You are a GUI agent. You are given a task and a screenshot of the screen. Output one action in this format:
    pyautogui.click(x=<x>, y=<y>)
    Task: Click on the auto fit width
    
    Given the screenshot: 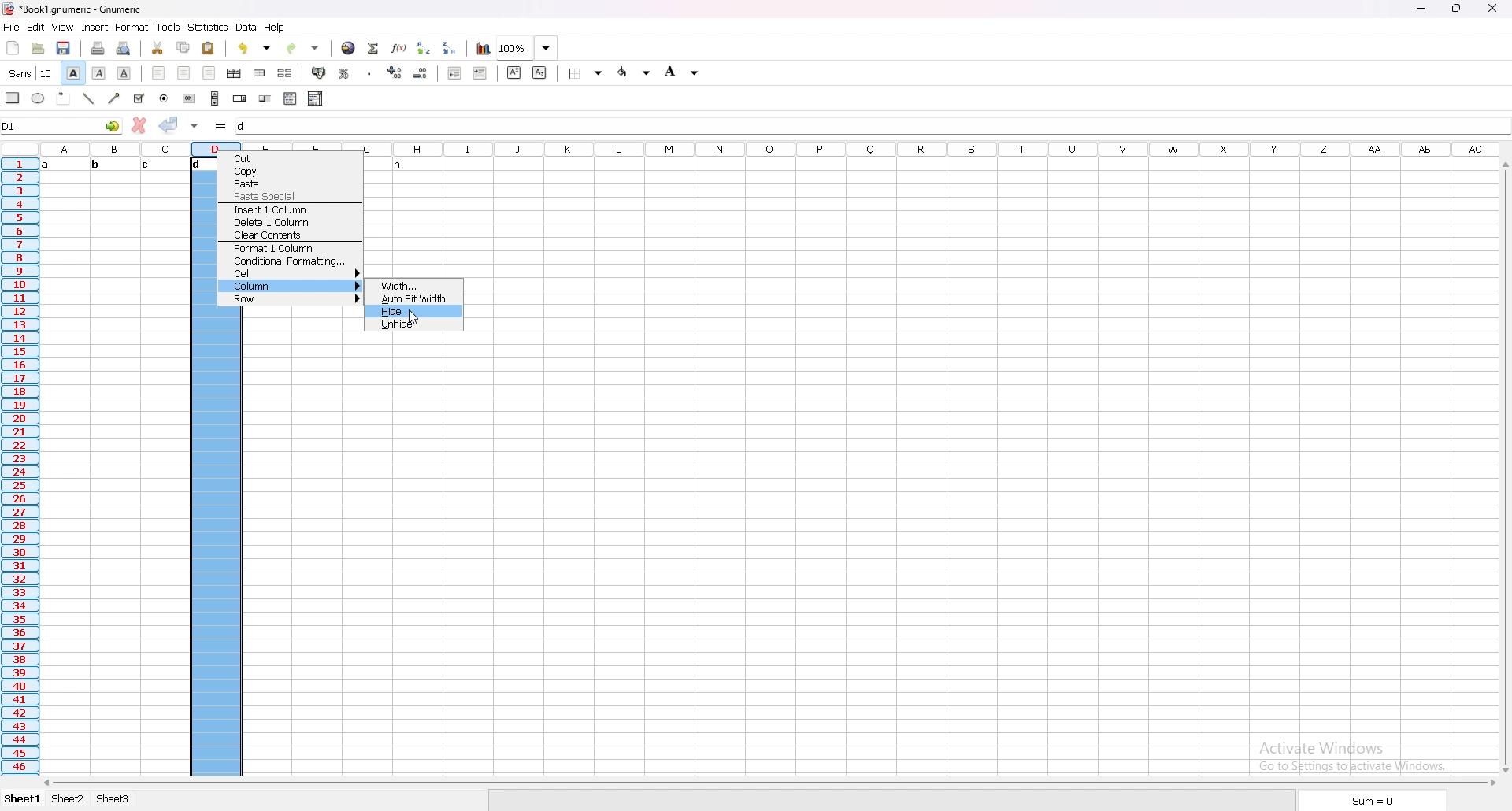 What is the action you would take?
    pyautogui.click(x=413, y=300)
    